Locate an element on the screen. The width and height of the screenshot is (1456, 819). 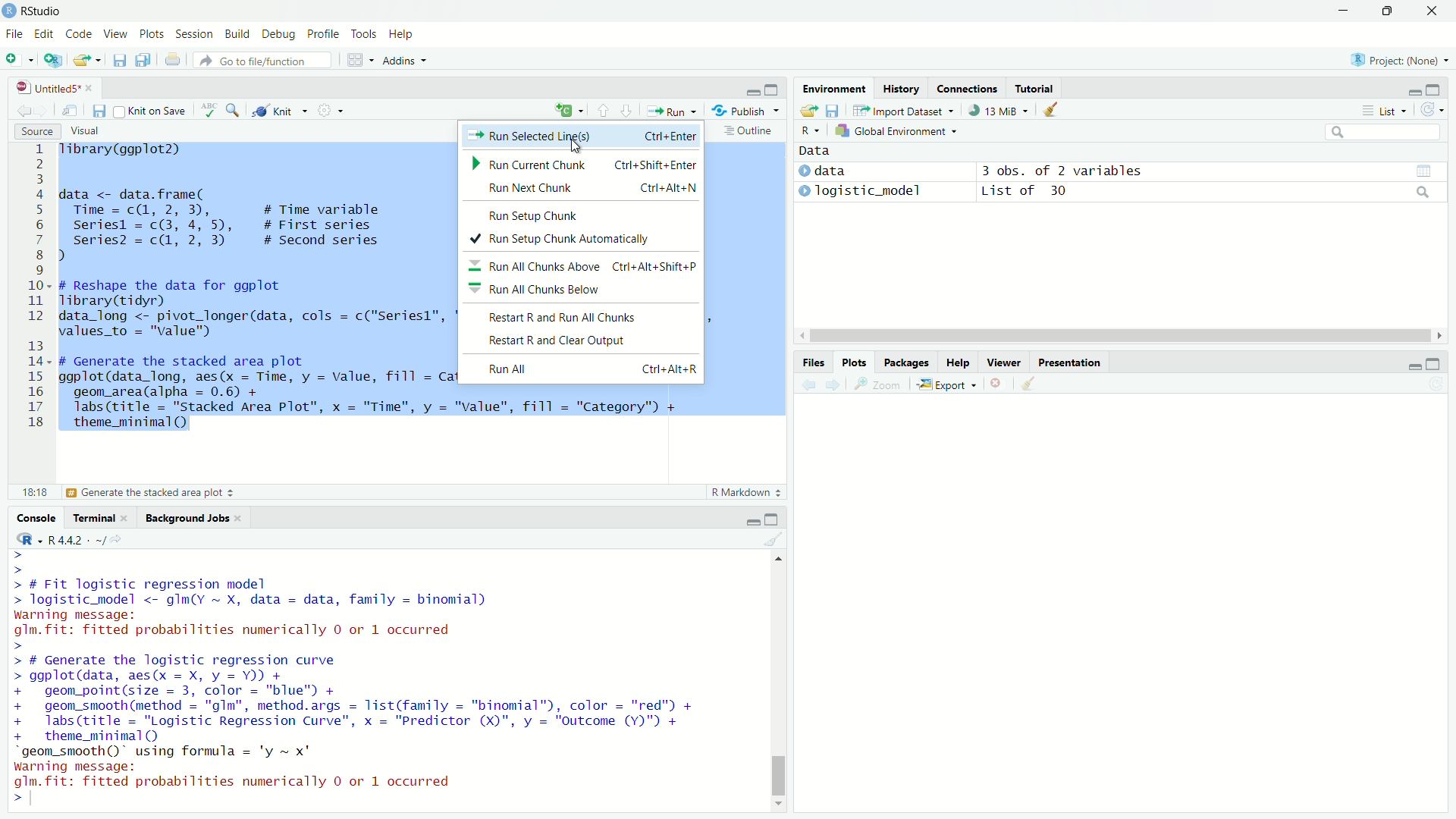
cursor is located at coordinates (580, 149).